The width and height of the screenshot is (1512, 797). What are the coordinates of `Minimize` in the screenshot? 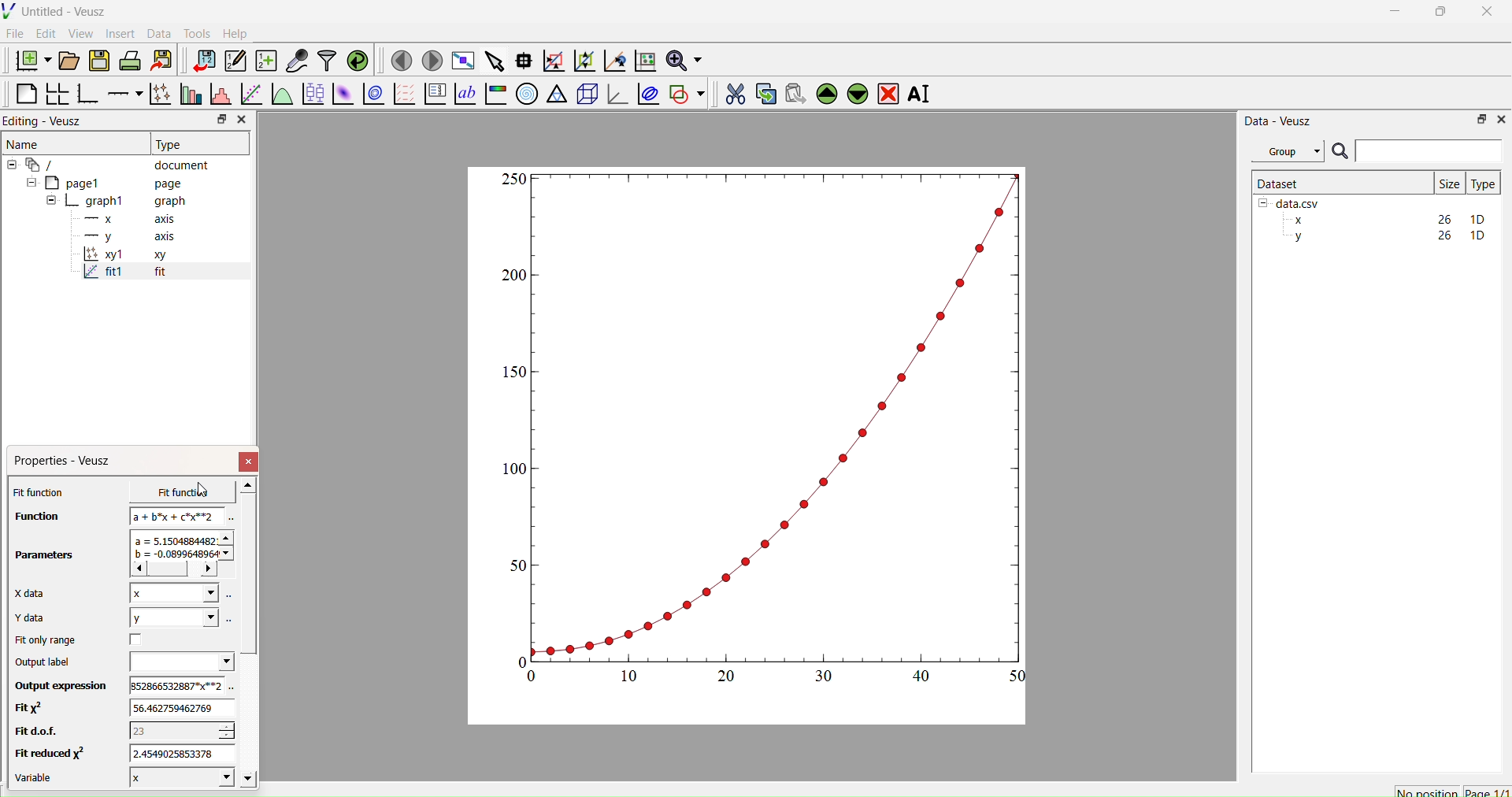 It's located at (1395, 15).